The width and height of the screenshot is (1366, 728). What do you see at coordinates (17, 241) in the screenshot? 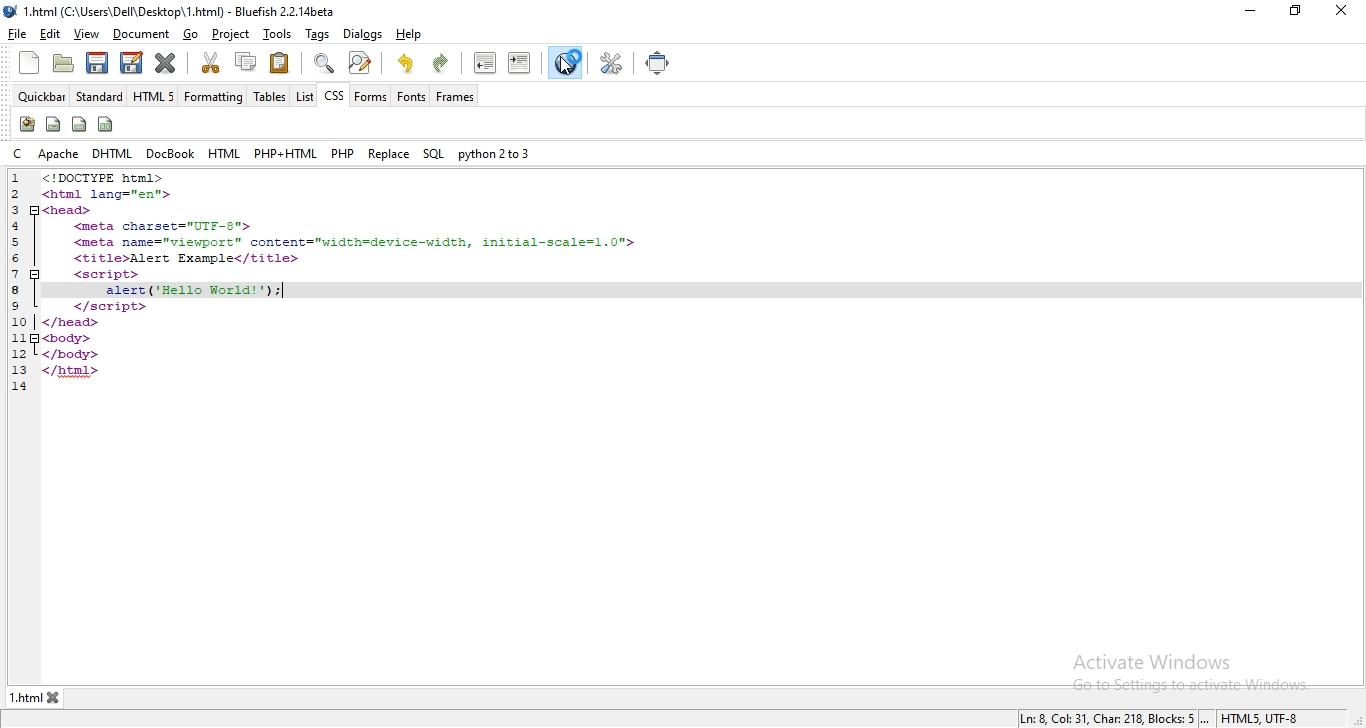
I see `5` at bounding box center [17, 241].